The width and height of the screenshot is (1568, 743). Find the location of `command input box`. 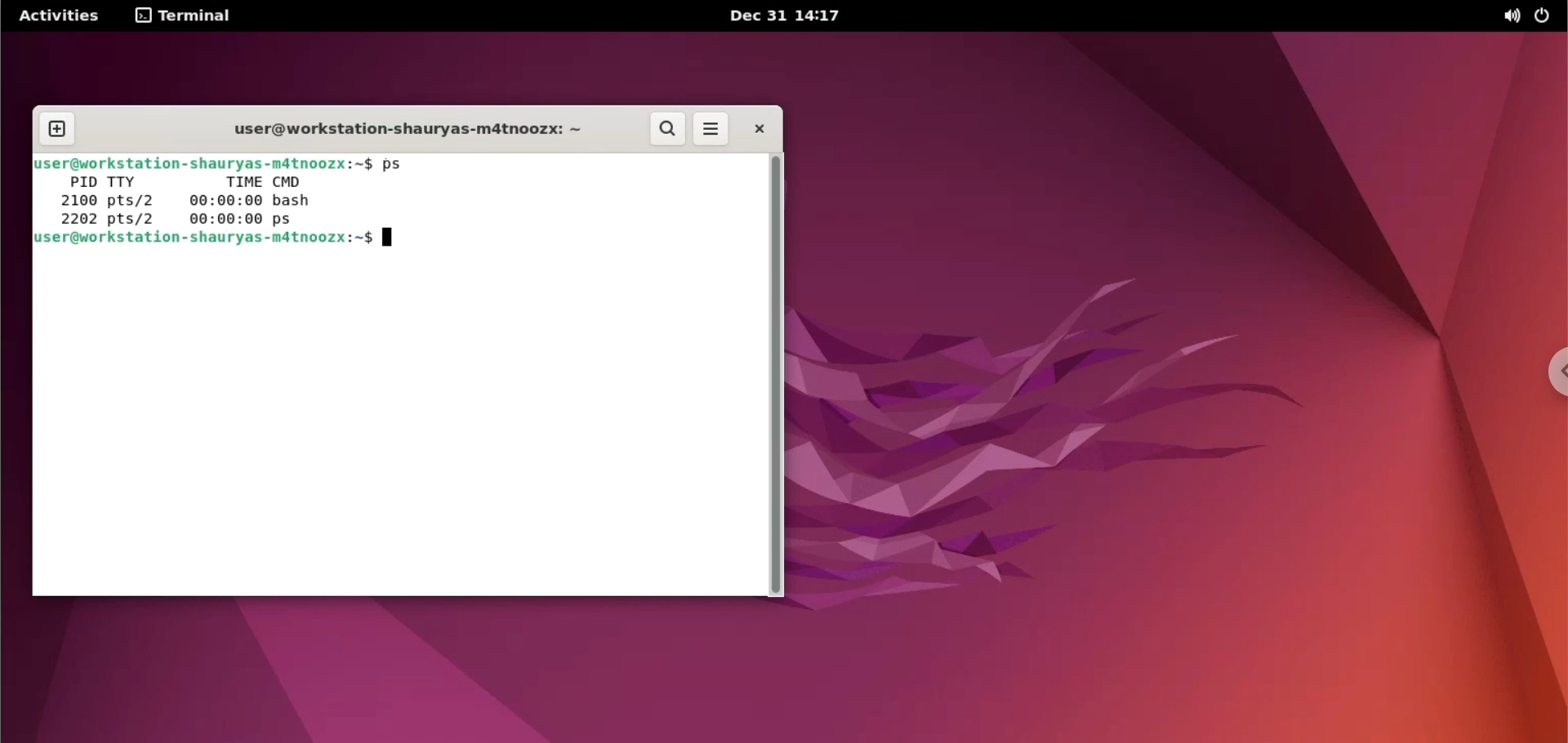

command input box is located at coordinates (394, 431).